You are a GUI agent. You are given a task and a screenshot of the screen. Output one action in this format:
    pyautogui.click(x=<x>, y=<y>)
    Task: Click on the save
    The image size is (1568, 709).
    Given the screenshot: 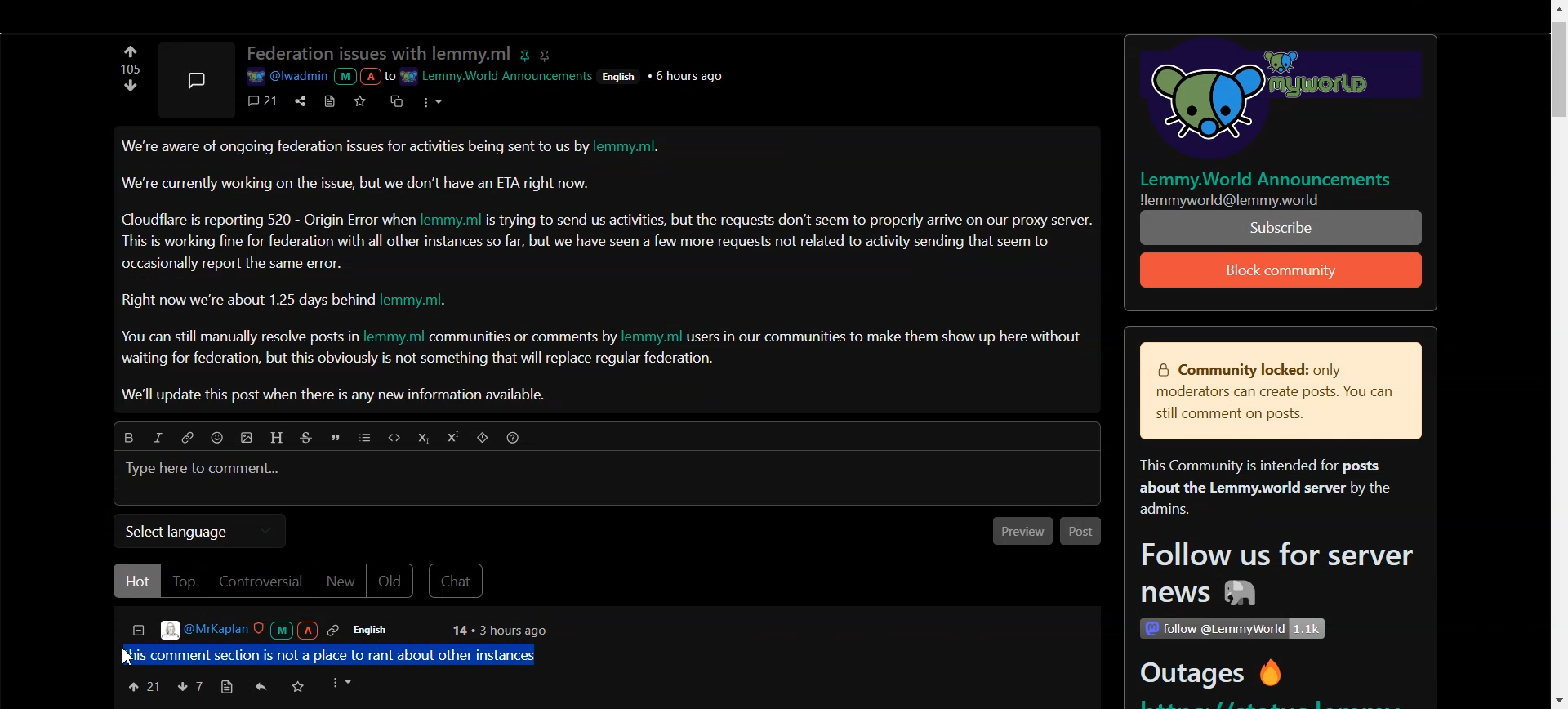 What is the action you would take?
    pyautogui.click(x=363, y=100)
    